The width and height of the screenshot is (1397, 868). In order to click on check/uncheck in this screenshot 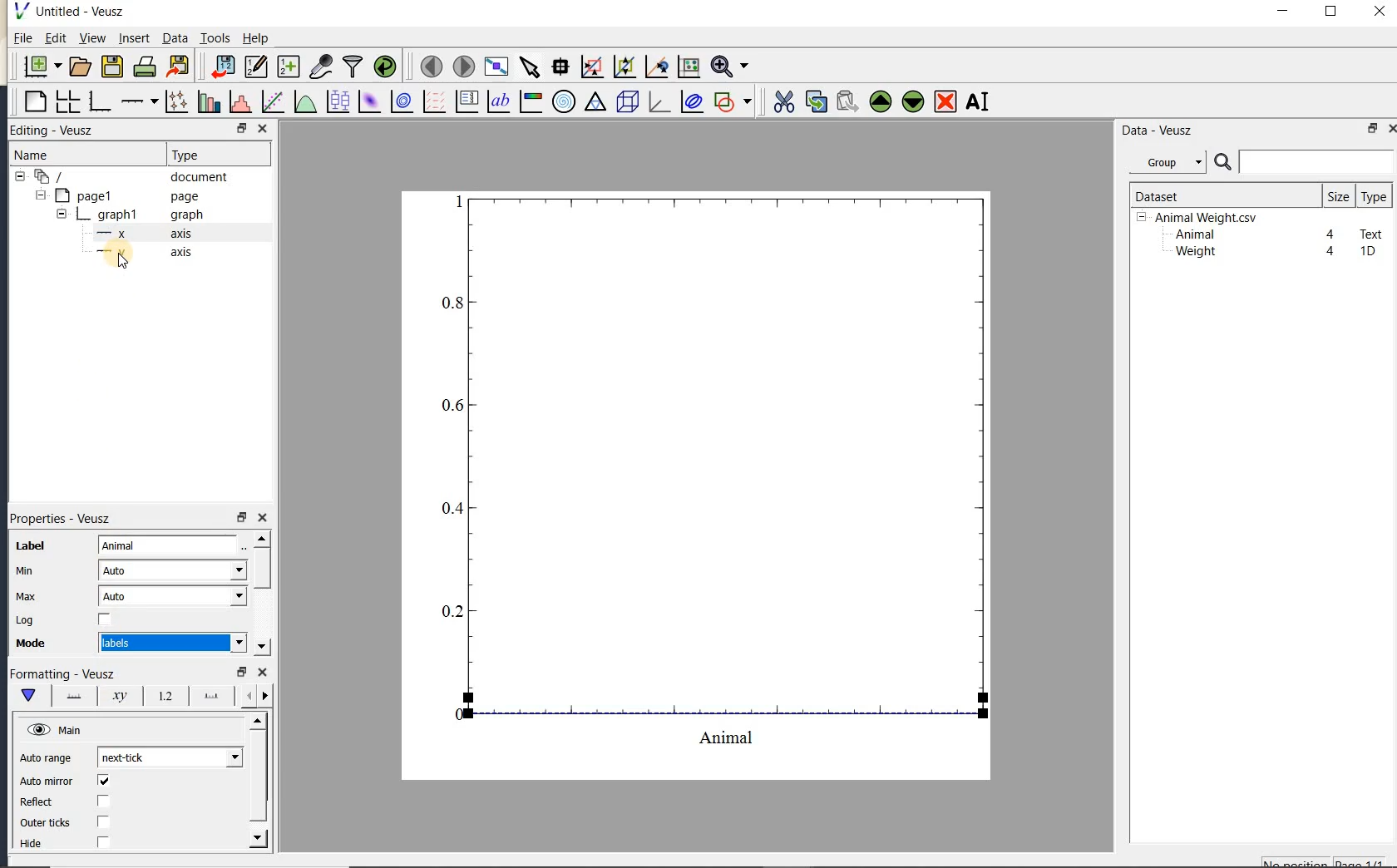, I will do `click(102, 802)`.